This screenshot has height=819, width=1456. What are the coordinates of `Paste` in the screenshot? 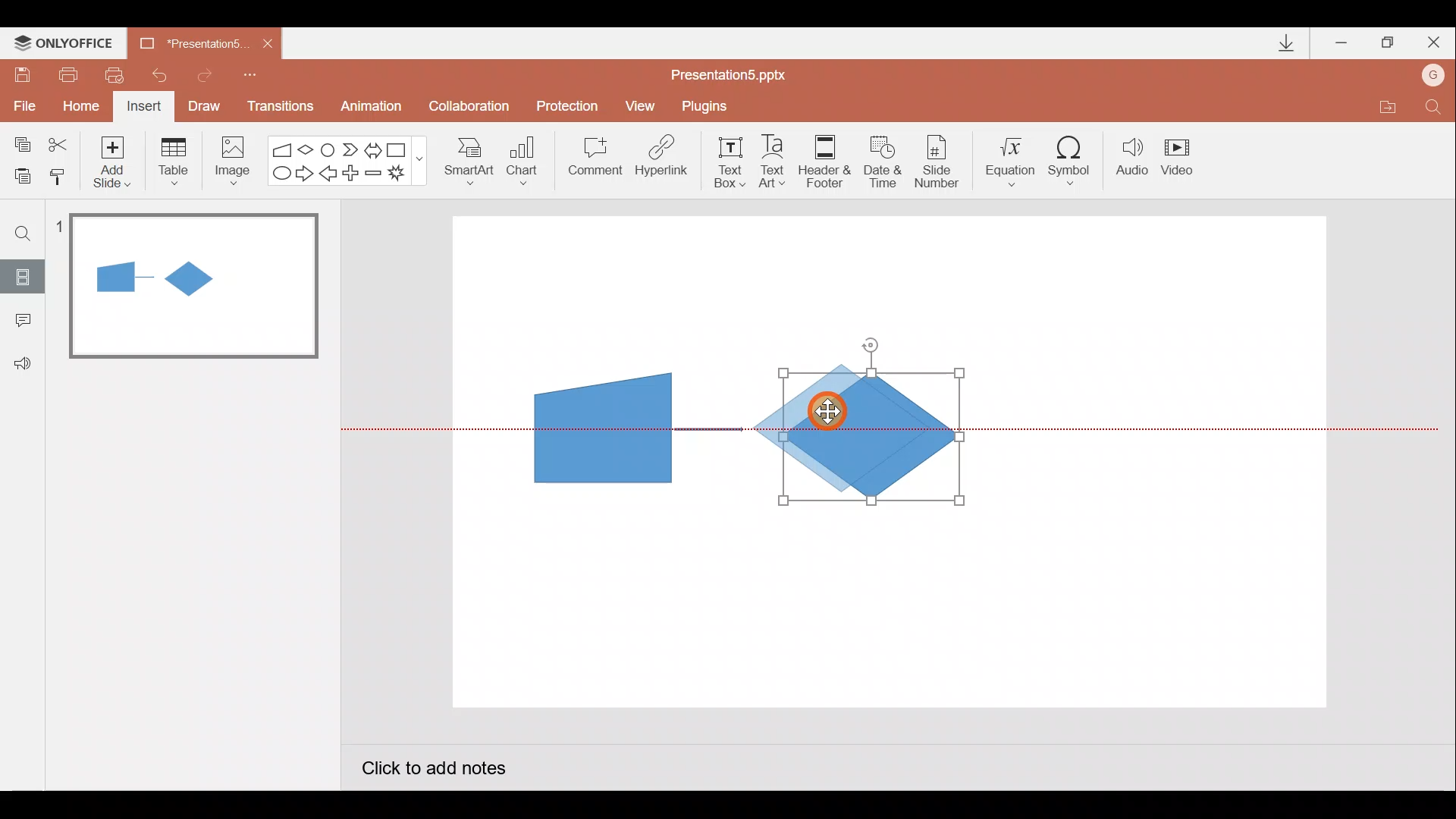 It's located at (18, 174).